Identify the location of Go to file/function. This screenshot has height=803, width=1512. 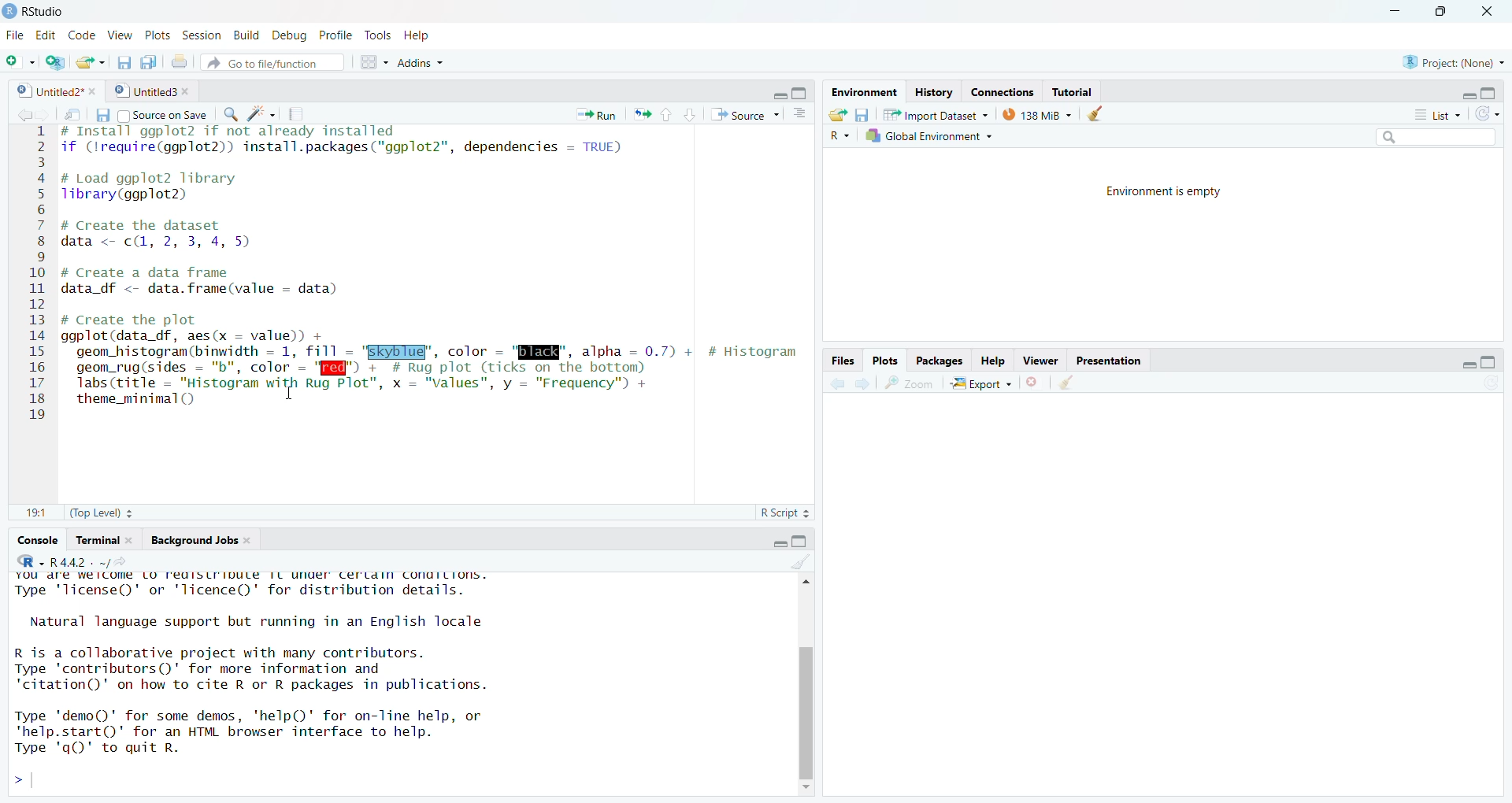
(268, 61).